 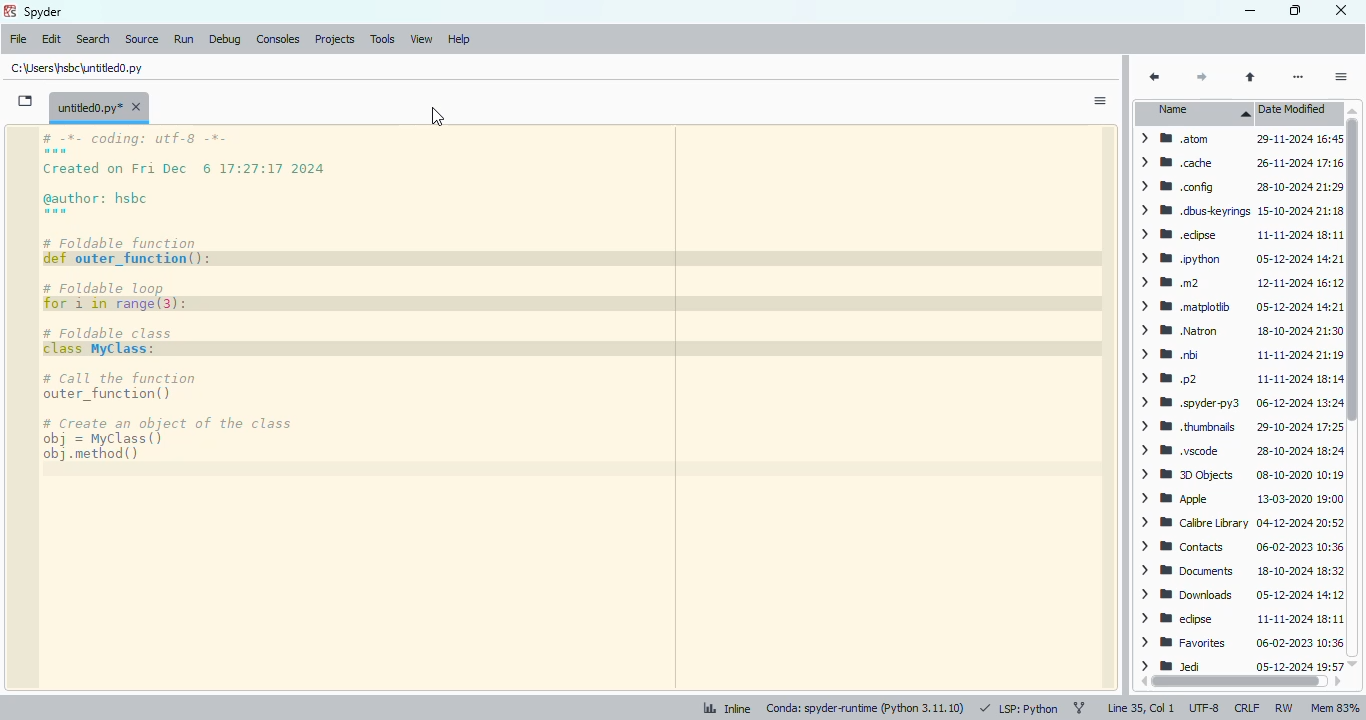 I want to click on options, so click(x=1100, y=101).